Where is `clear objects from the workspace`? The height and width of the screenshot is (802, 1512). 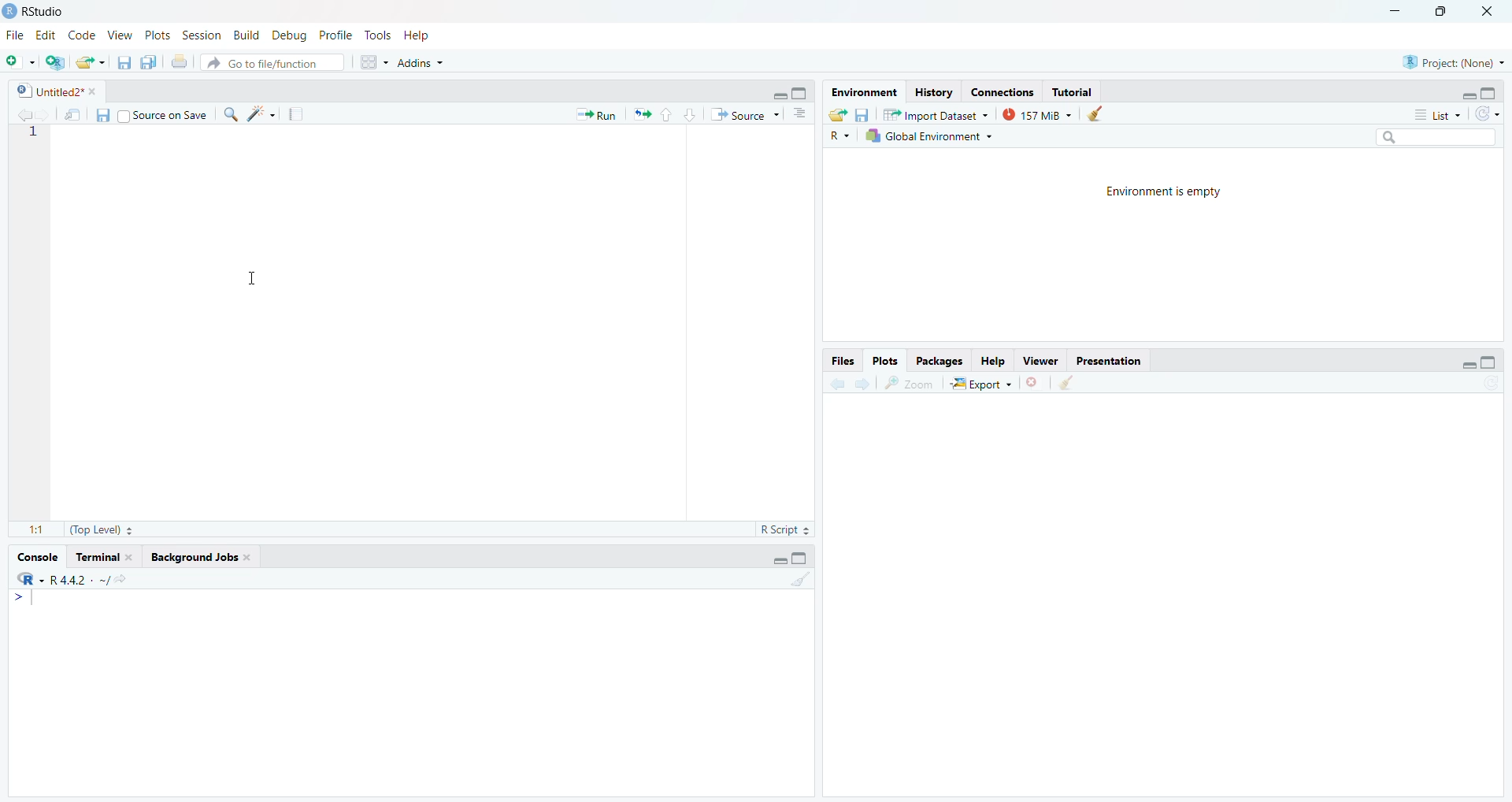
clear objects from the workspace is located at coordinates (1099, 114).